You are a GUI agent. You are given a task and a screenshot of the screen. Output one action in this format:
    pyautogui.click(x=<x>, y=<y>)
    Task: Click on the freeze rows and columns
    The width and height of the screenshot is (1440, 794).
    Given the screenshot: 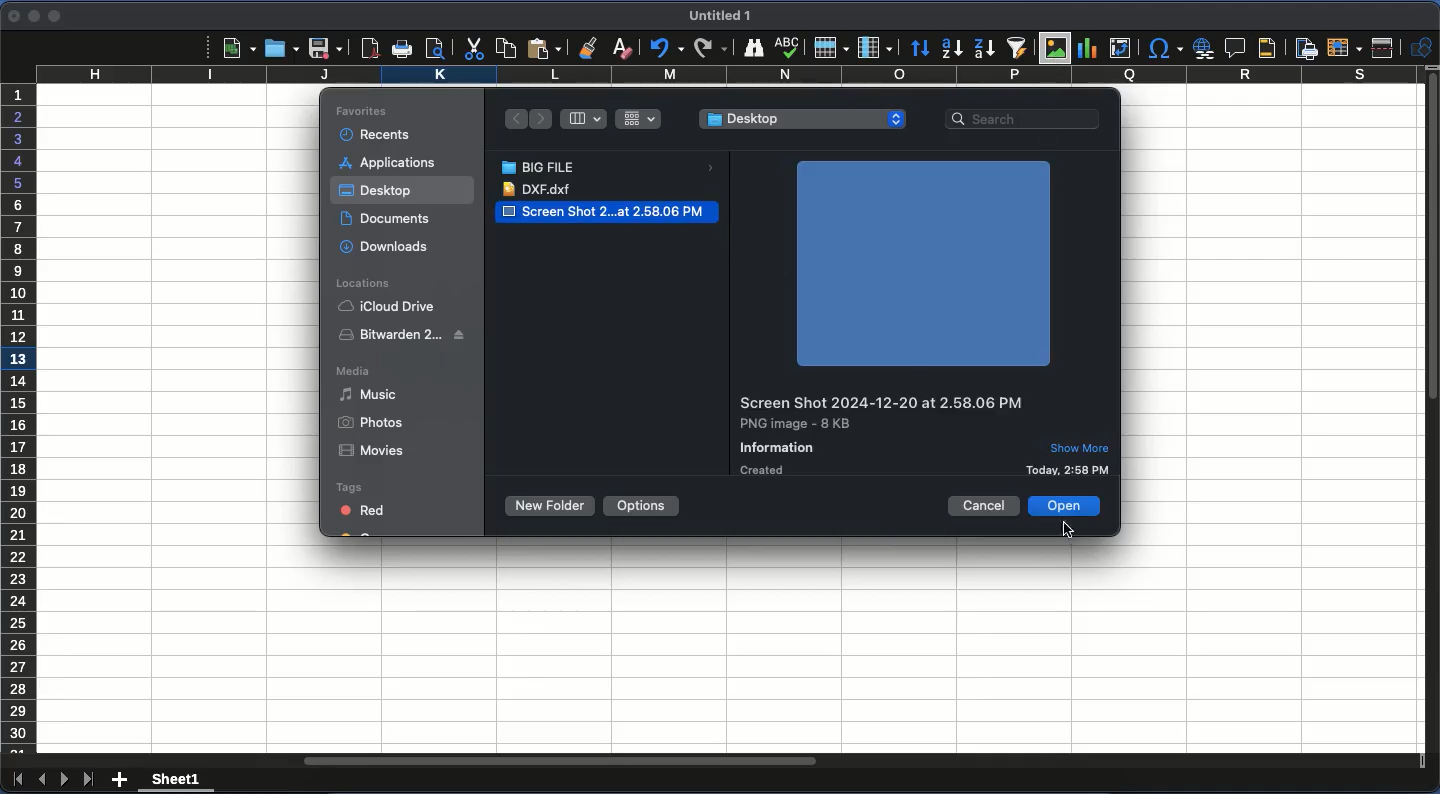 What is the action you would take?
    pyautogui.click(x=1346, y=48)
    